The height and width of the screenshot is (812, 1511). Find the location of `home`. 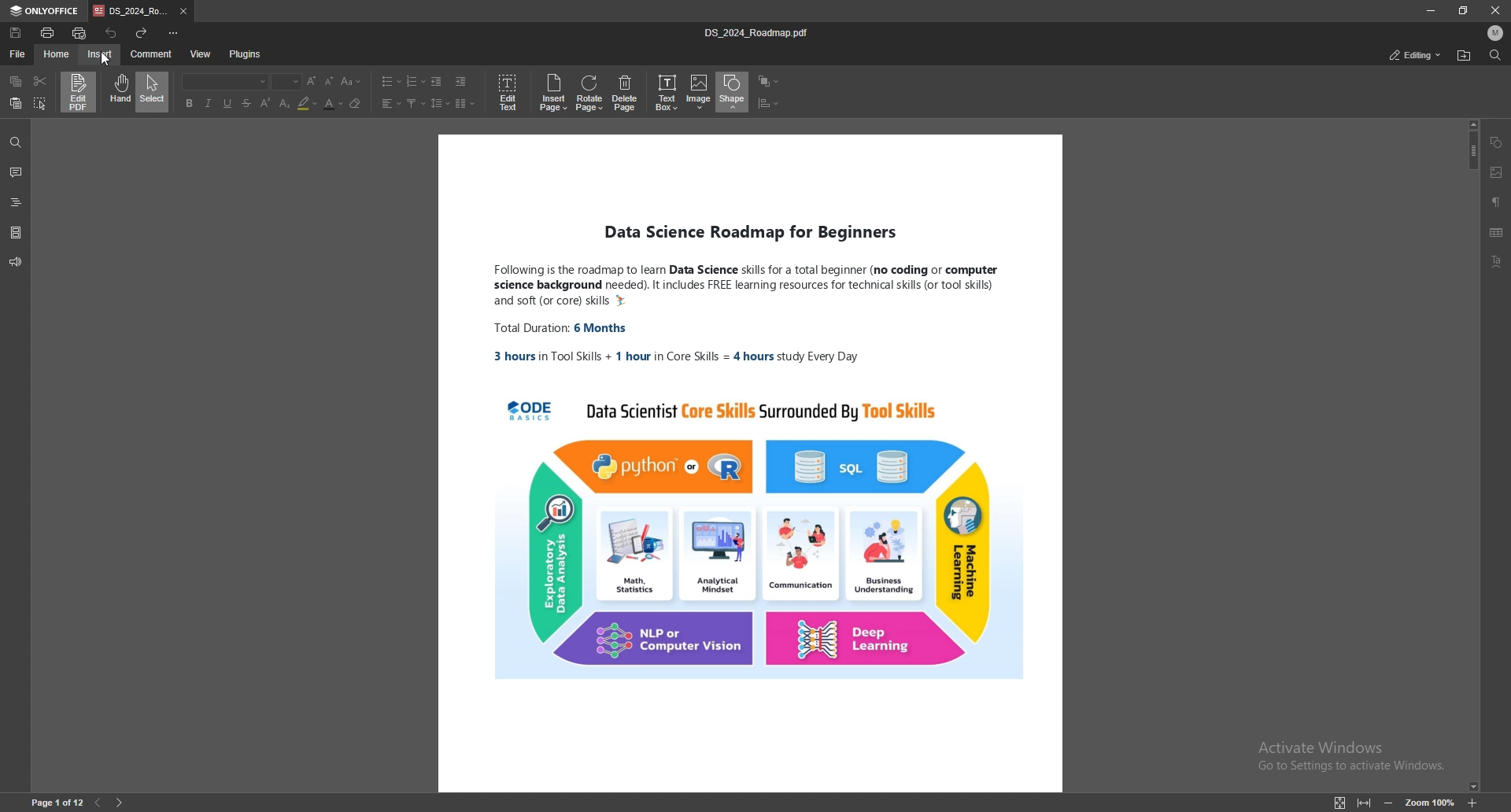

home is located at coordinates (58, 54).